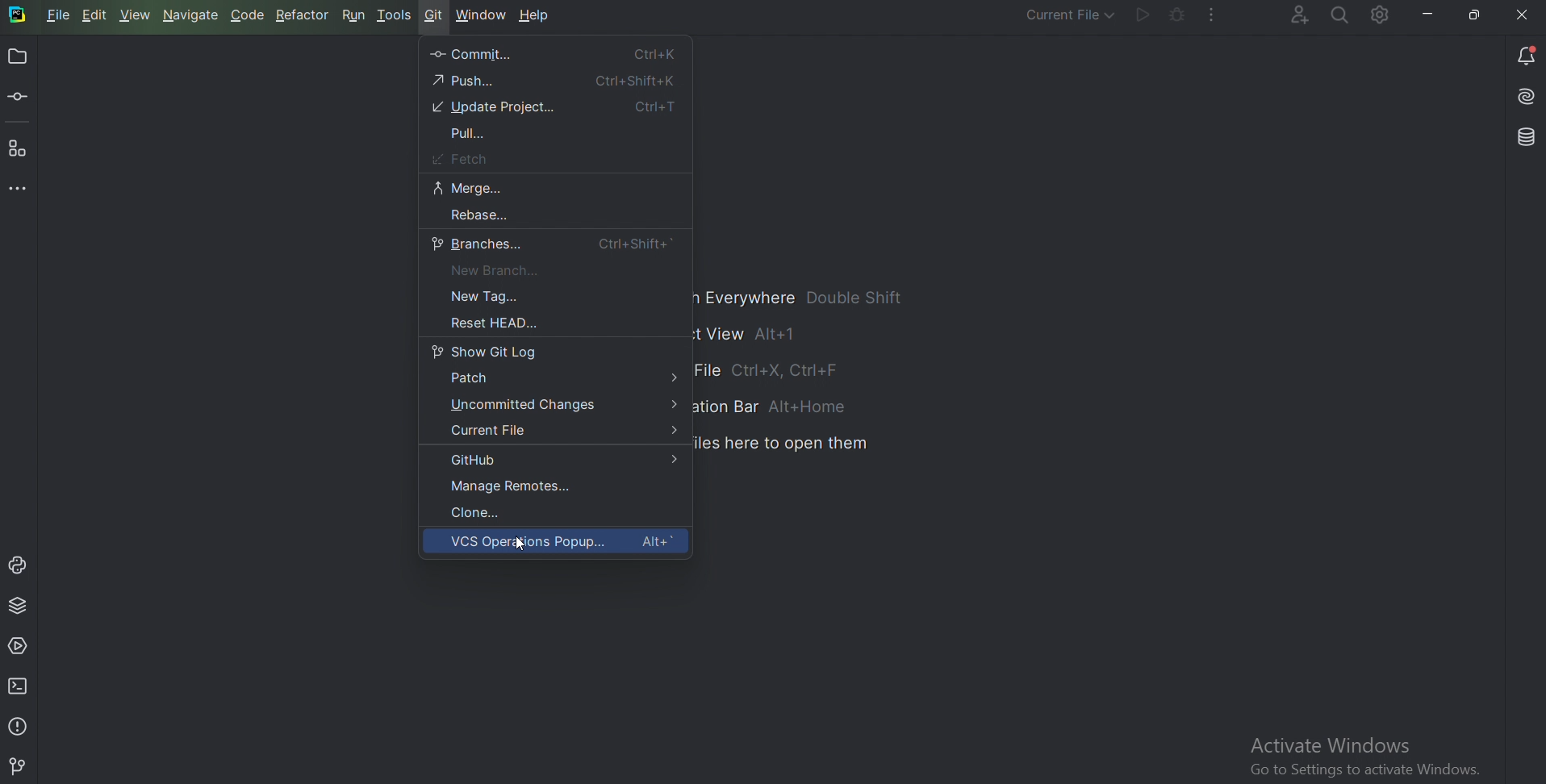 This screenshot has height=784, width=1546. Describe the element at coordinates (478, 215) in the screenshot. I see `Rebase` at that location.